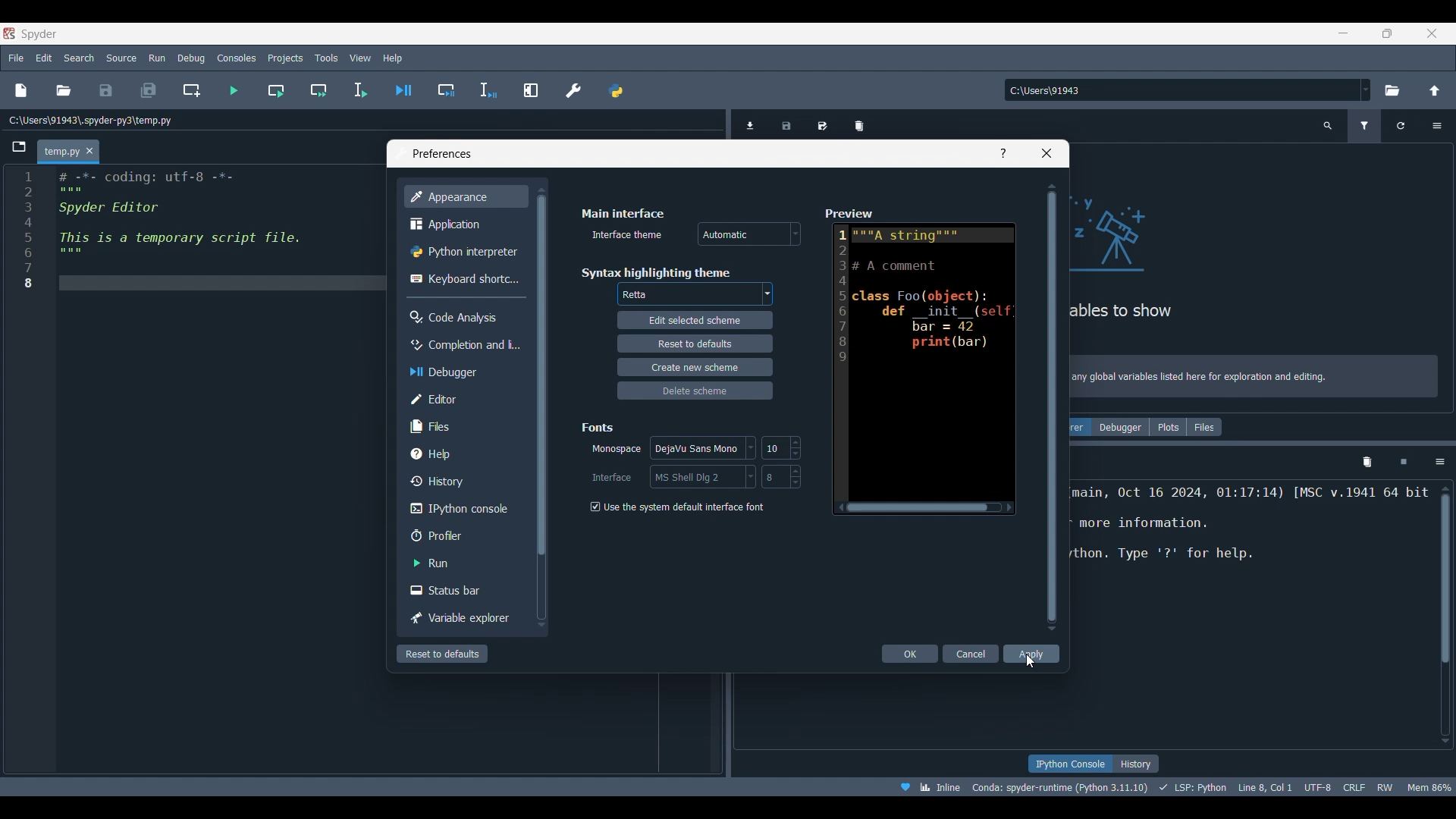 The image size is (1456, 819). Describe the element at coordinates (200, 232) in the screenshot. I see `editor pane` at that location.